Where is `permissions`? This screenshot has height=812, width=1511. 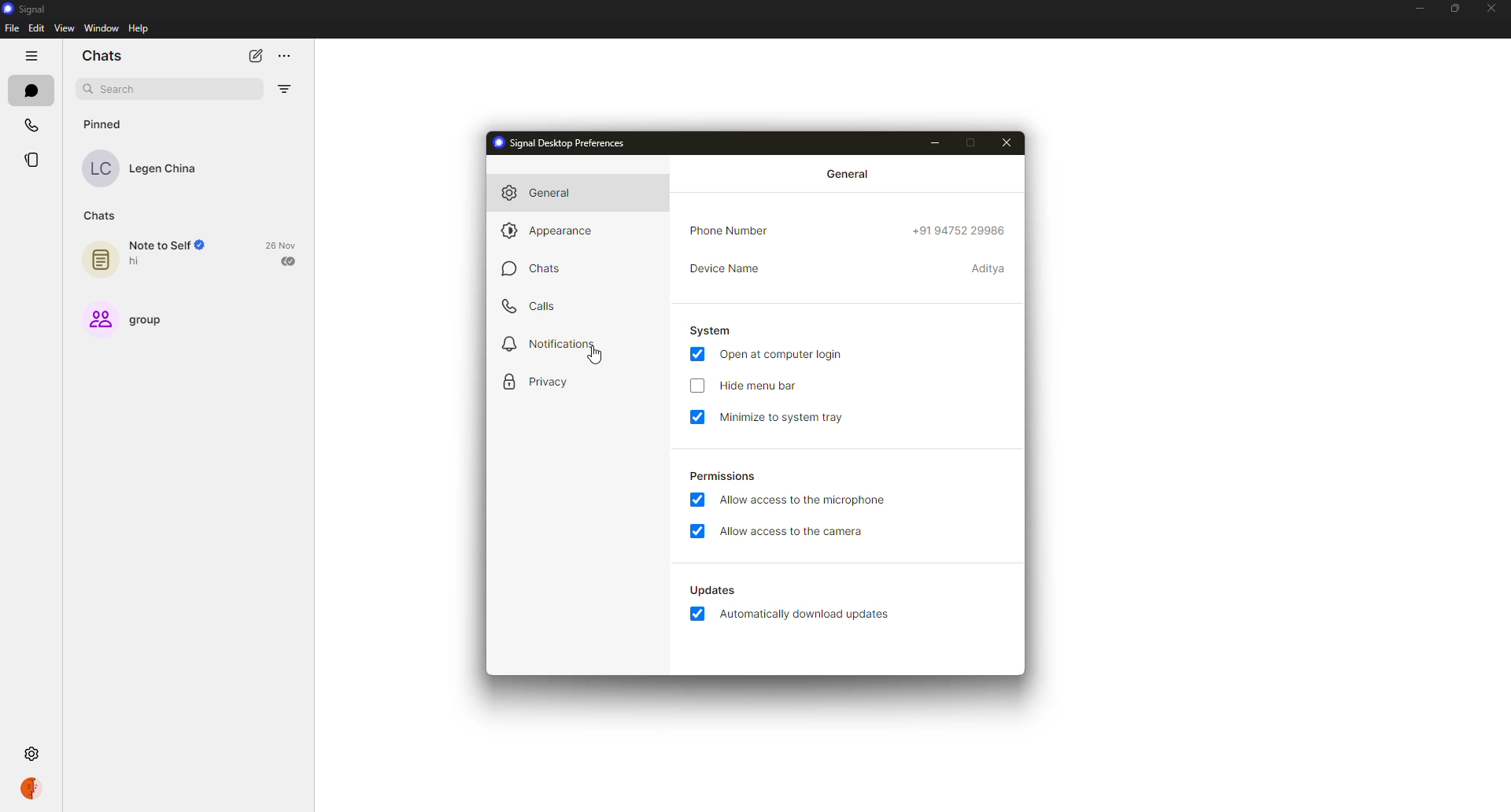 permissions is located at coordinates (720, 475).